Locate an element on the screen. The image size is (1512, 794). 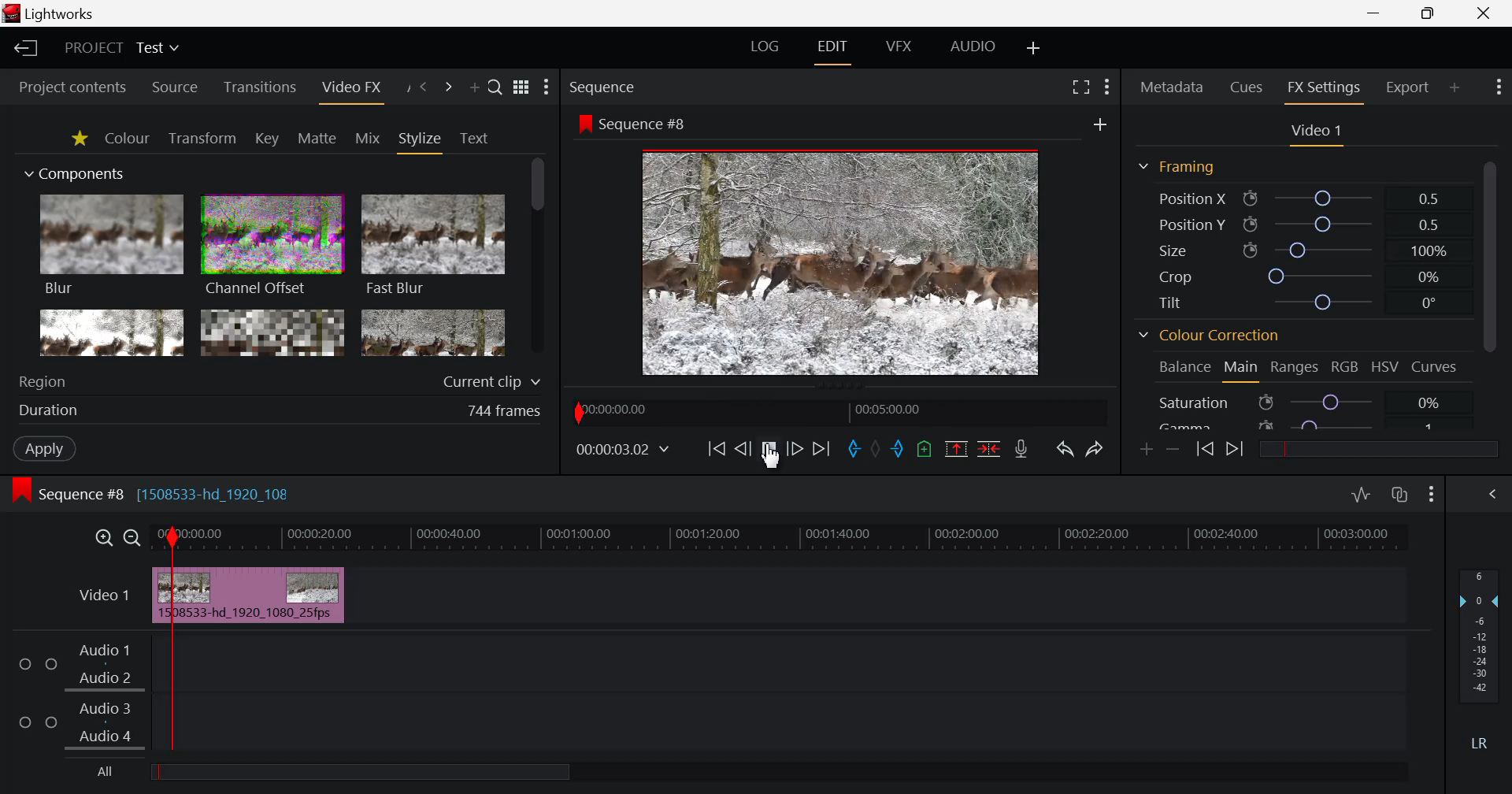
Next Panel is located at coordinates (446, 87).